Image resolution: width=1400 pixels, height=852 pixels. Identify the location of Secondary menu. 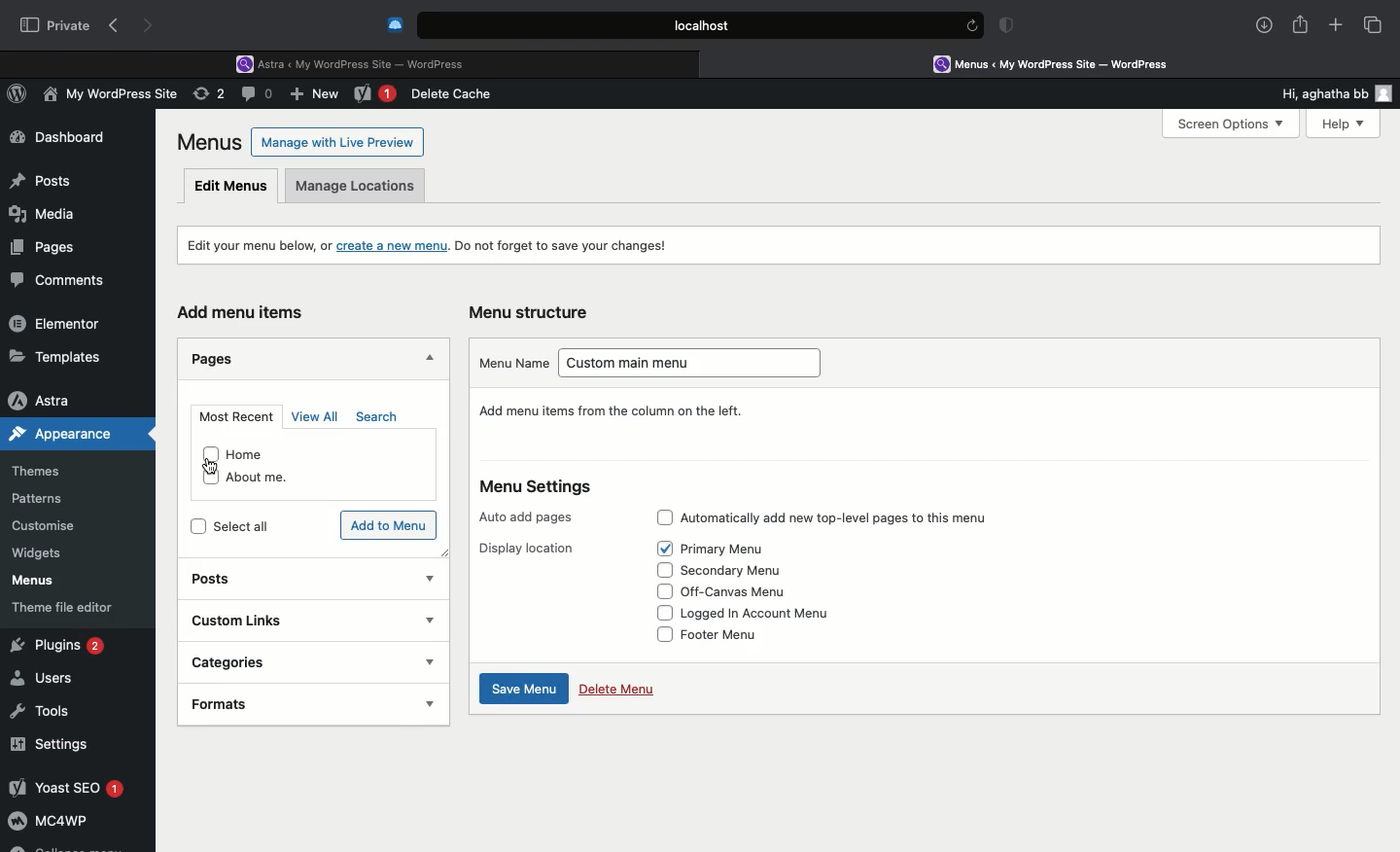
(745, 570).